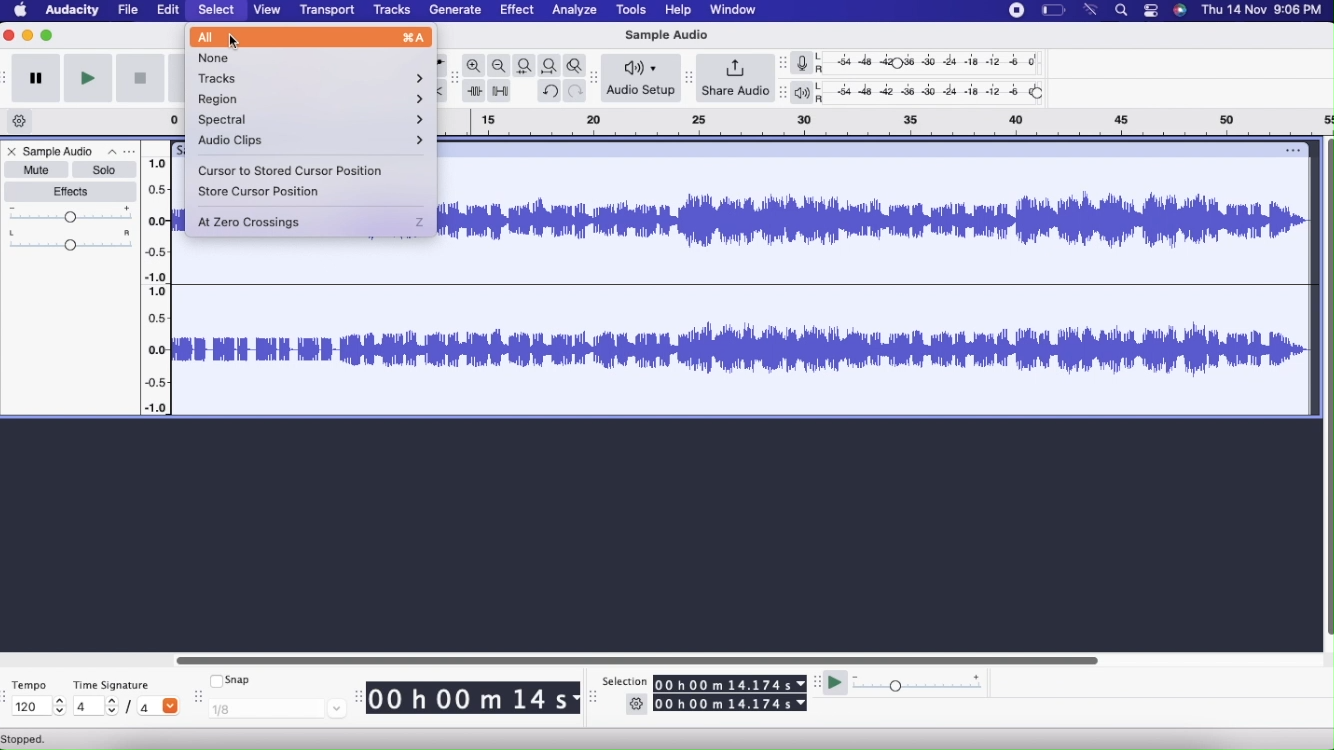 This screenshot has height=750, width=1334. Describe the element at coordinates (31, 685) in the screenshot. I see `Tempo` at that location.